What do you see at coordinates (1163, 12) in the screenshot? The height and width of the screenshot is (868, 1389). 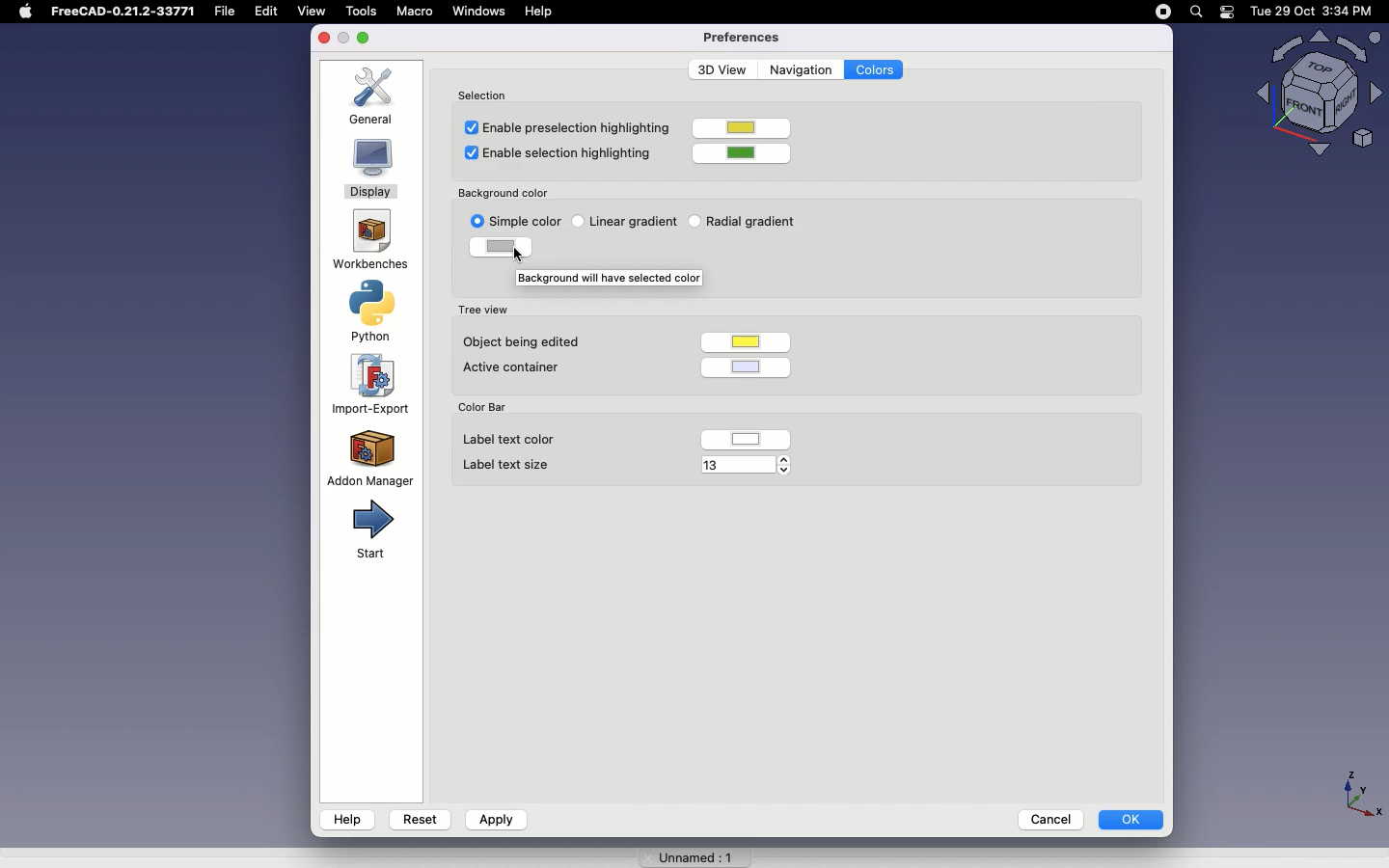 I see `pause` at bounding box center [1163, 12].